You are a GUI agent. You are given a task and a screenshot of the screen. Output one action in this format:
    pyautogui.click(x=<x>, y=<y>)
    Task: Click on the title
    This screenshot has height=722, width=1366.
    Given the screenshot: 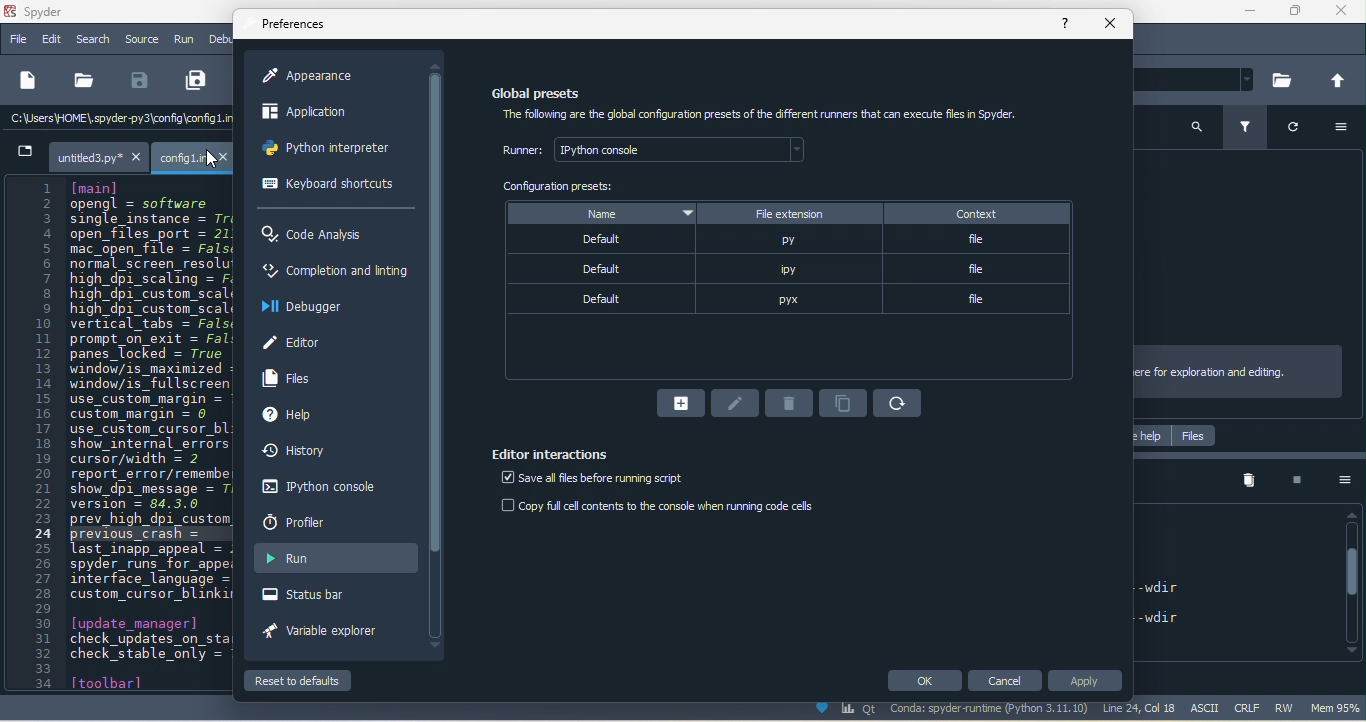 What is the action you would take?
    pyautogui.click(x=47, y=13)
    